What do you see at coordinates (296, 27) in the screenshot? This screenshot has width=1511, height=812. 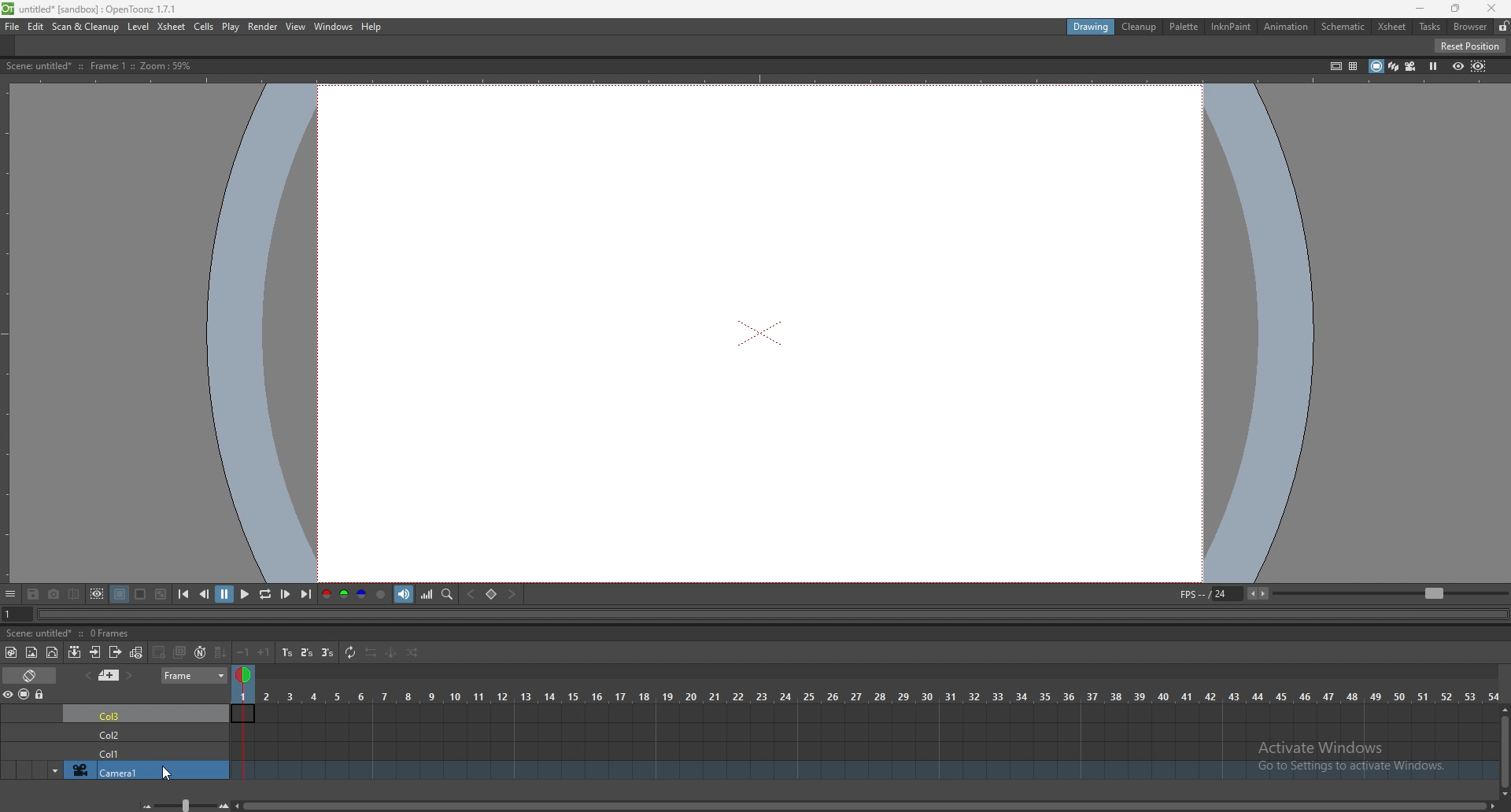 I see `view` at bounding box center [296, 27].